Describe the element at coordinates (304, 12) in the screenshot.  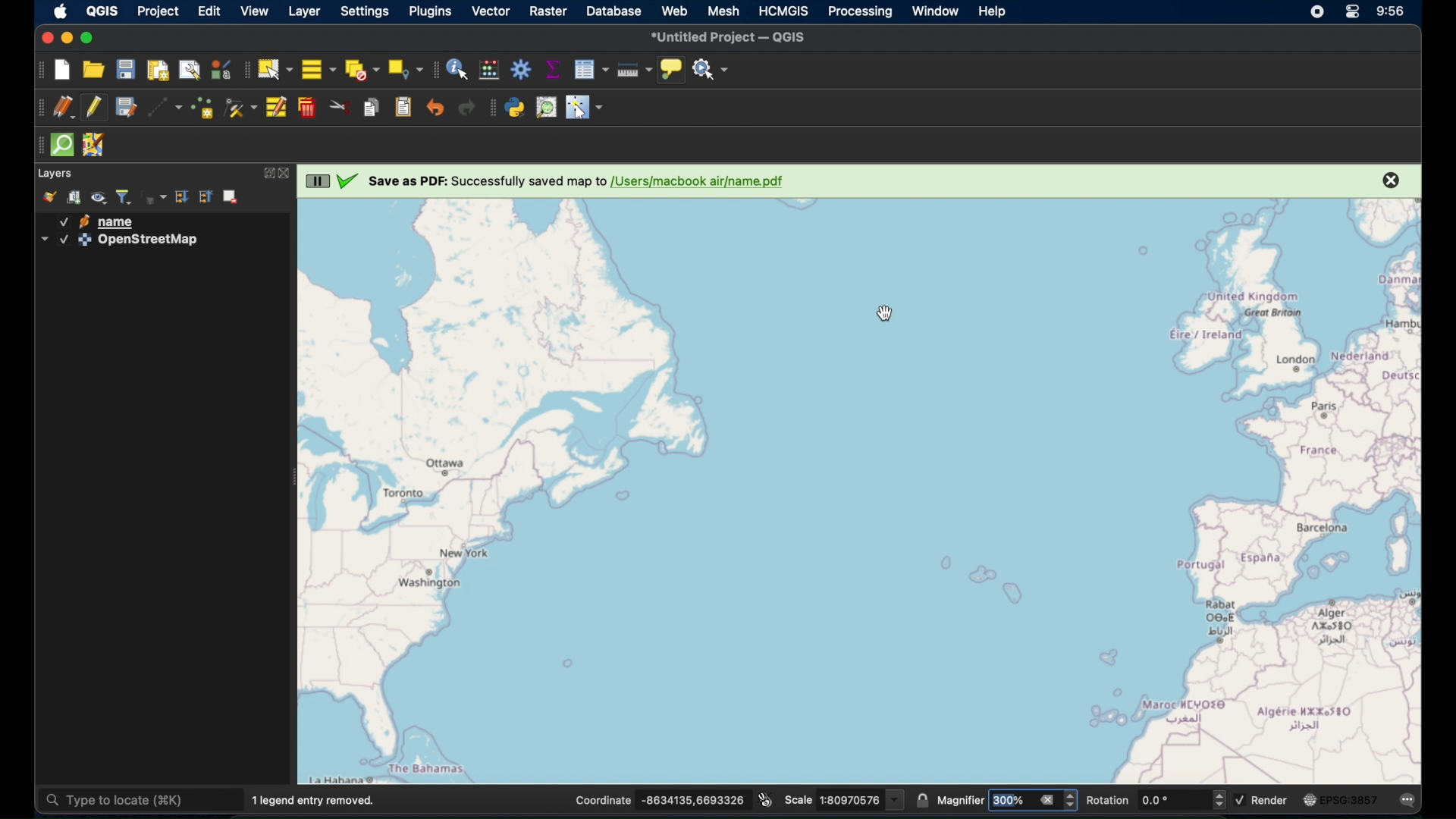
I see `layer` at that location.